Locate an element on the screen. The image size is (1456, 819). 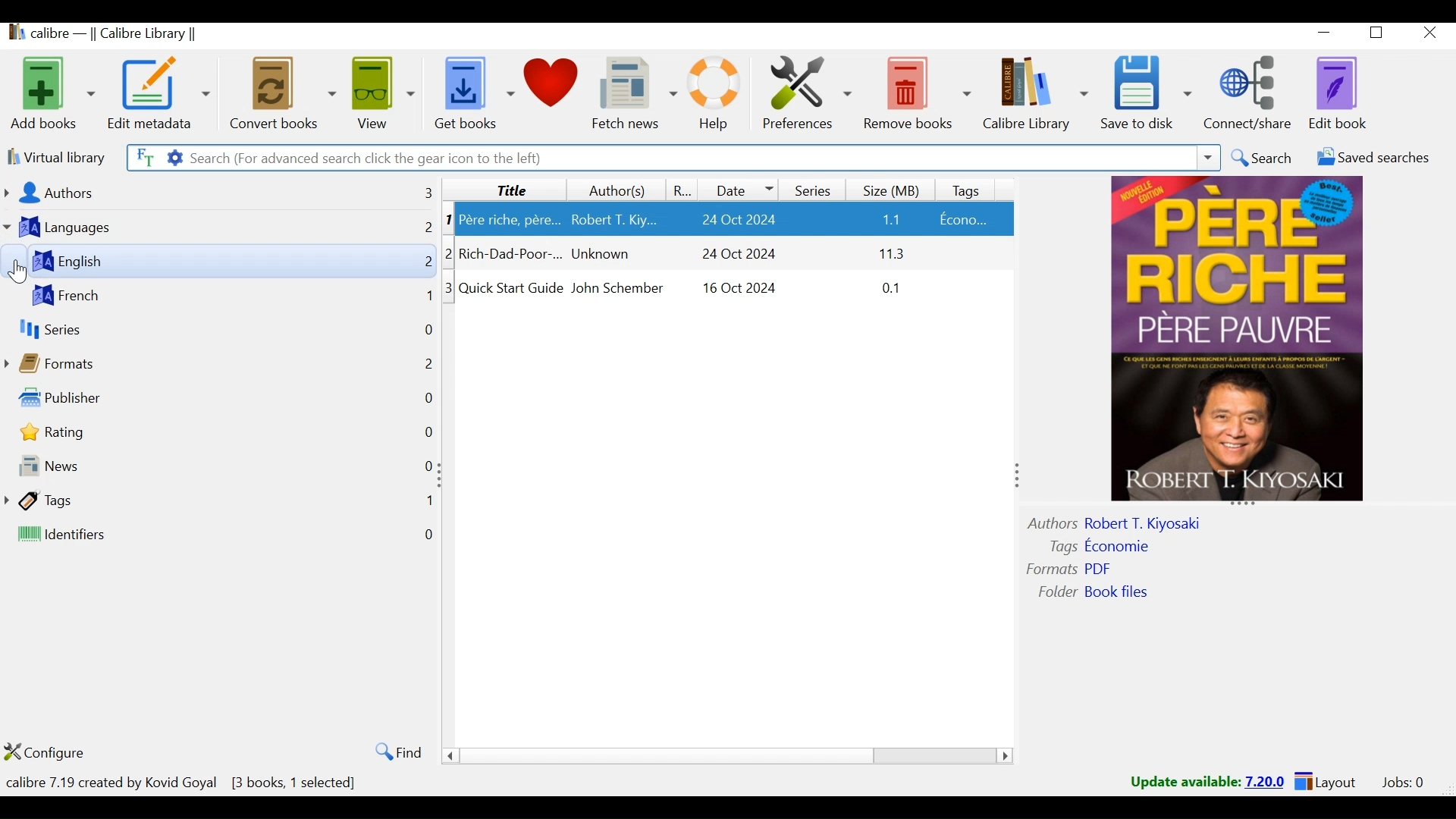
Authors Robert T. Kiyosaki is located at coordinates (1137, 522).